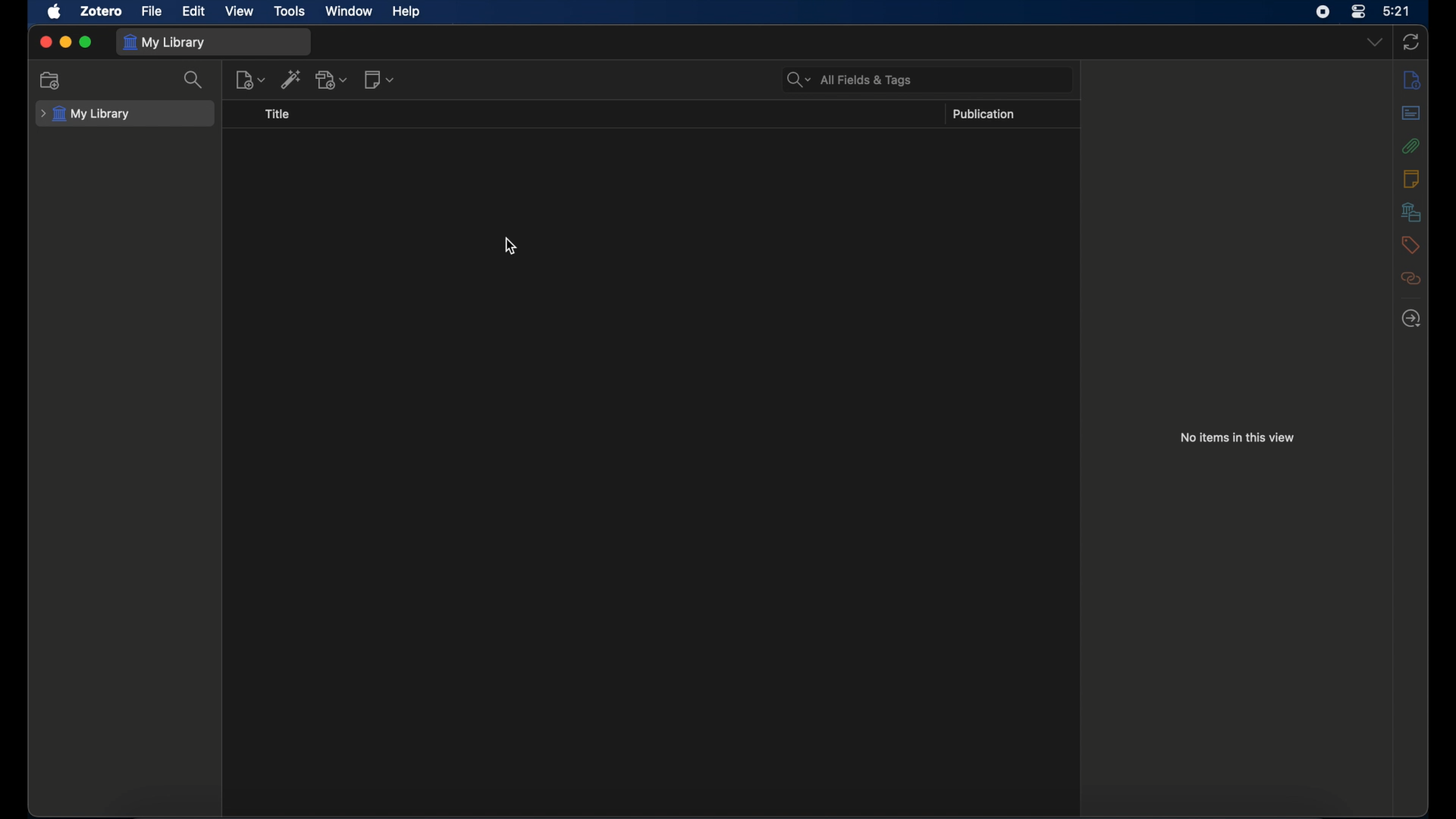 This screenshot has height=819, width=1456. I want to click on help, so click(406, 11).